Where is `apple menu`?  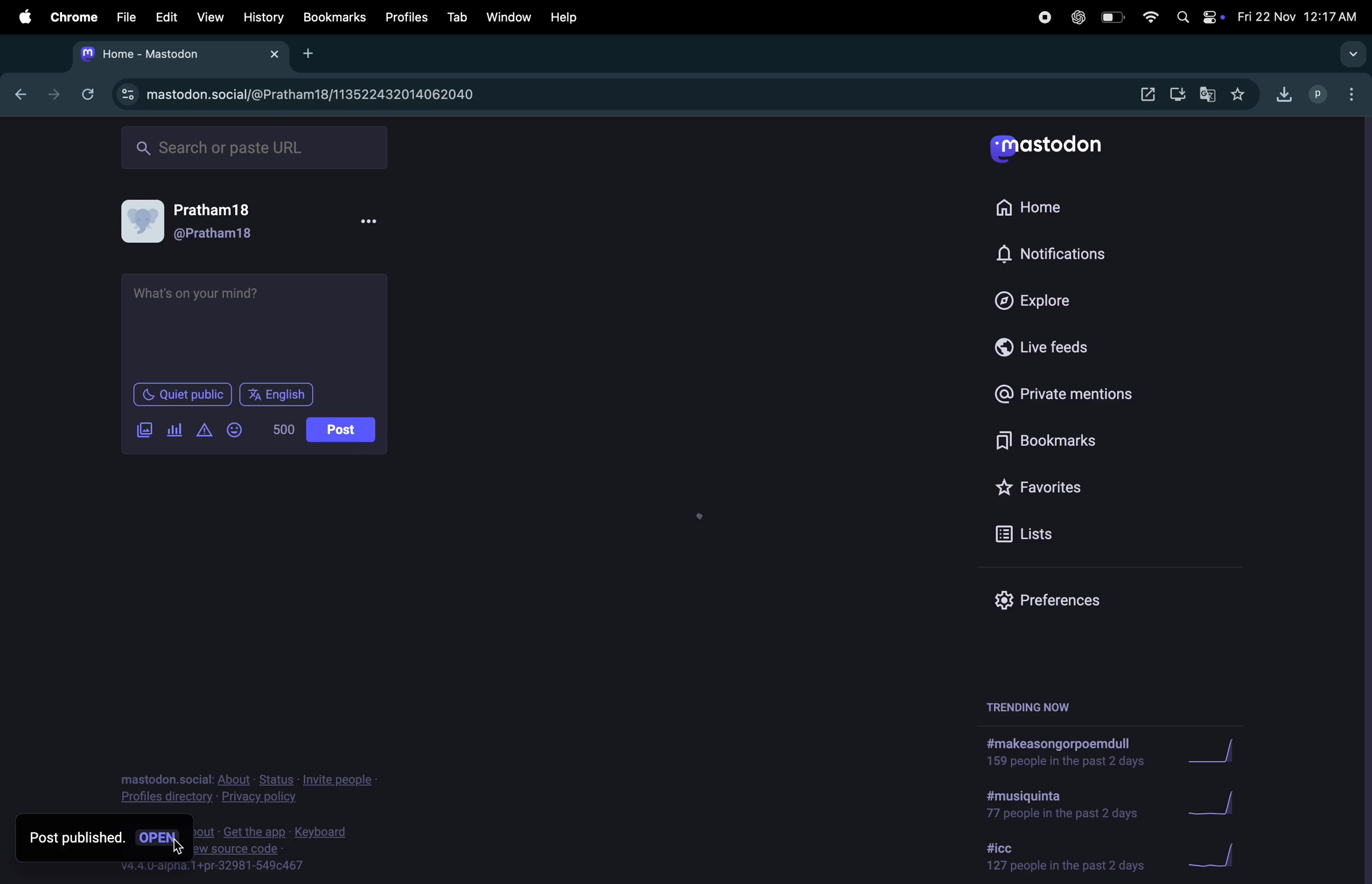
apple menu is located at coordinates (25, 15).